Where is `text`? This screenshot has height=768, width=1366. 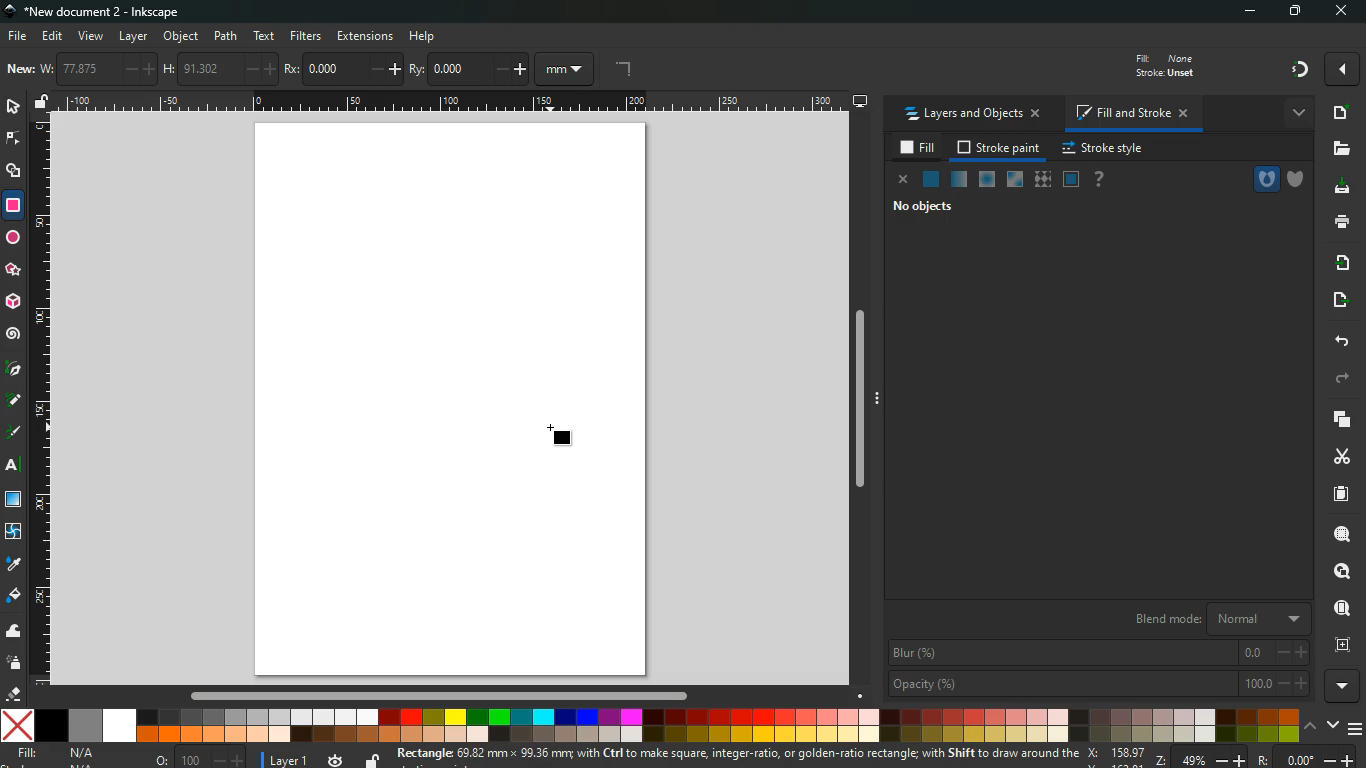
text is located at coordinates (266, 37).